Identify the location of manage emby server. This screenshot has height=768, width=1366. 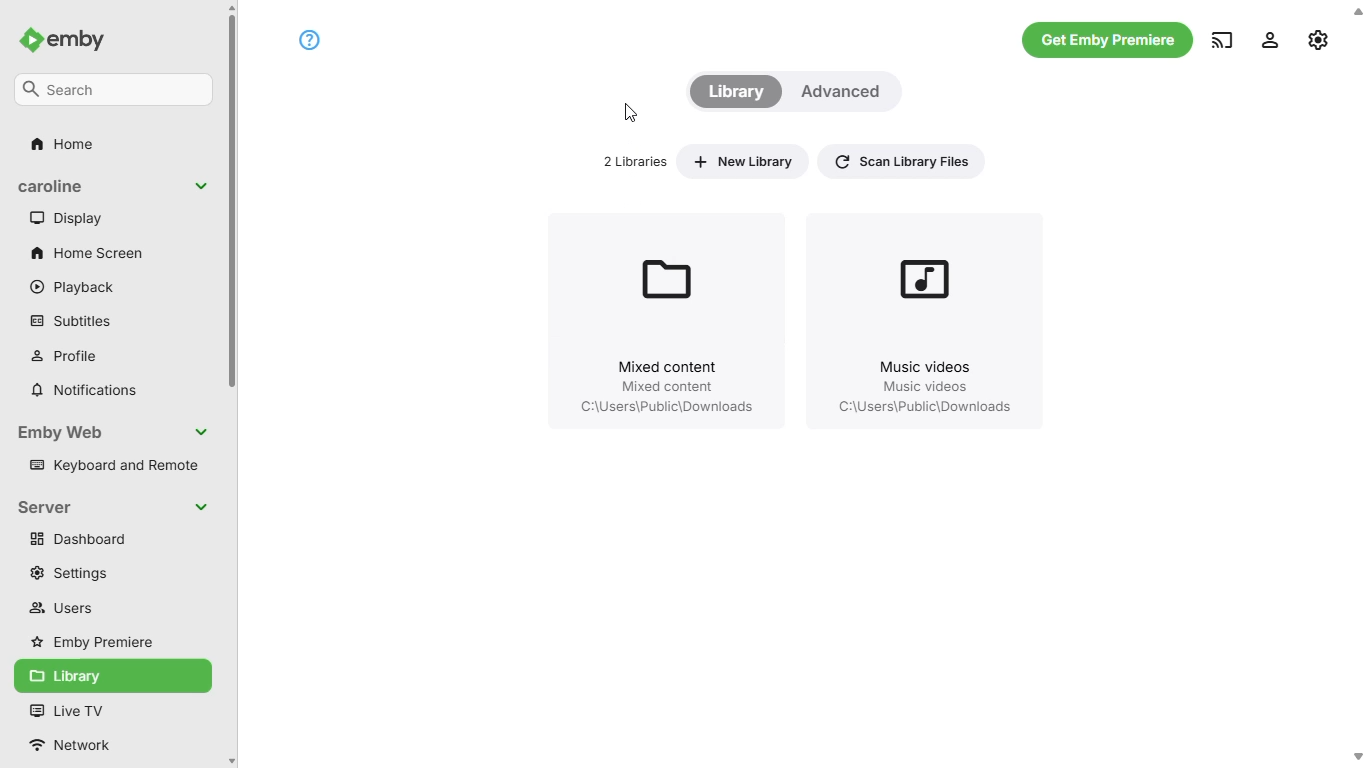
(1270, 39).